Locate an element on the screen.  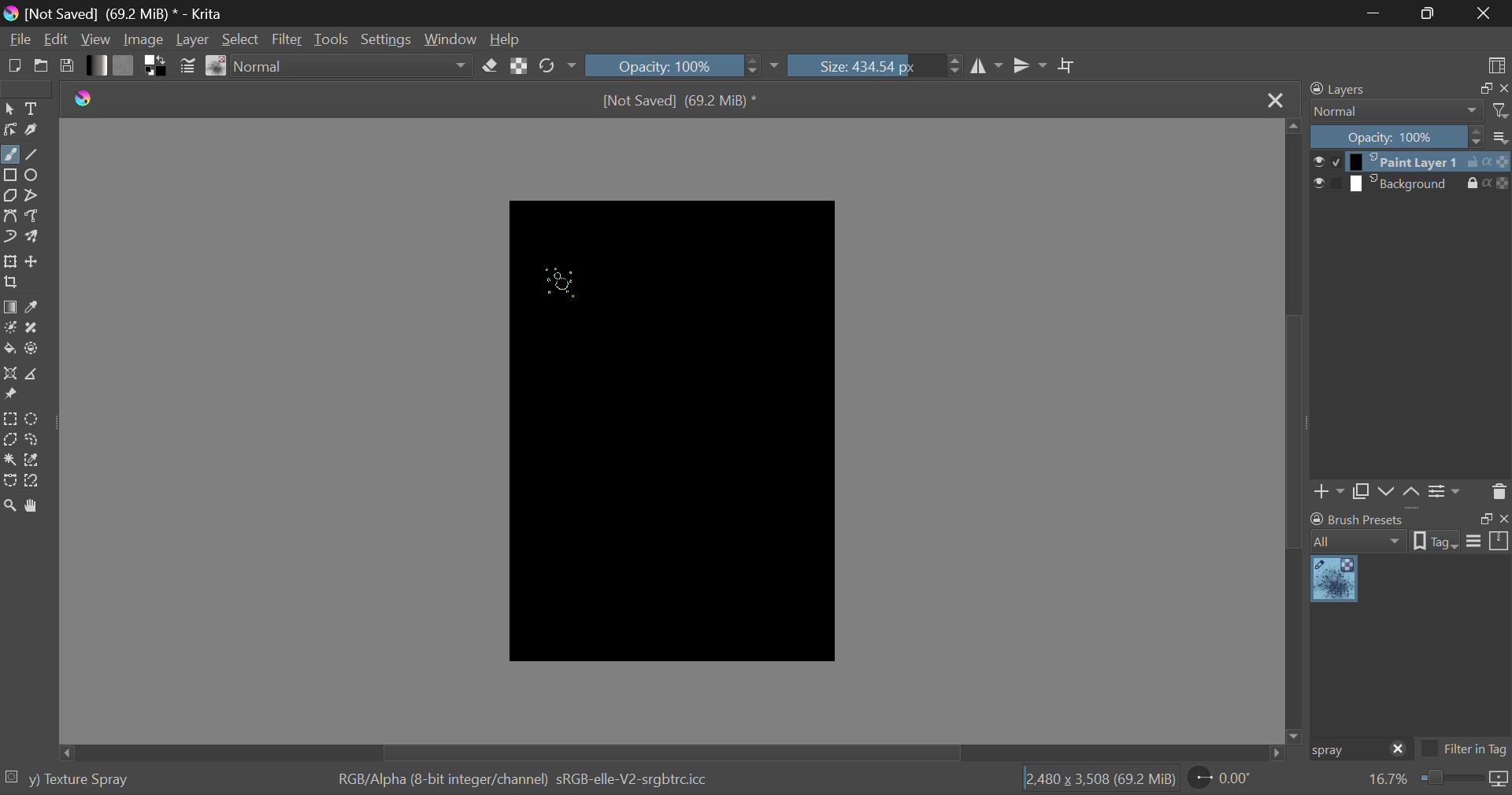
Select is located at coordinates (241, 39).